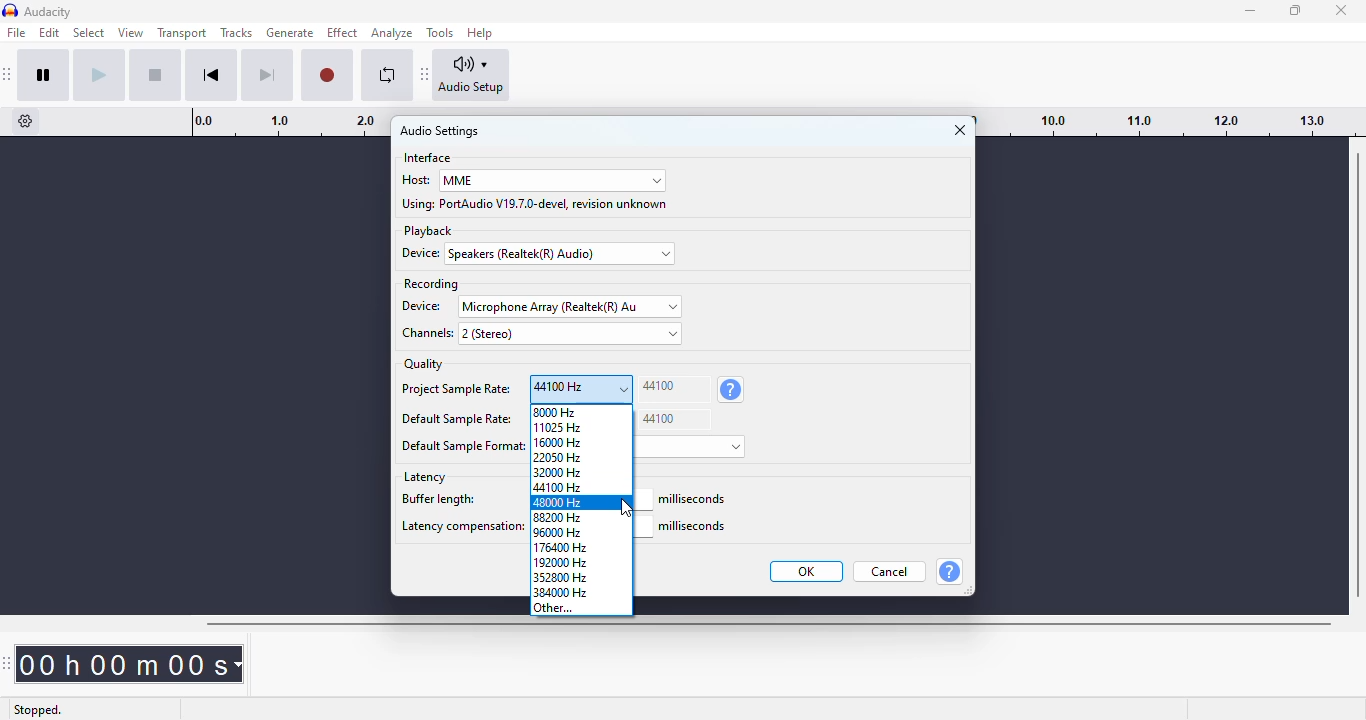  I want to click on interface, so click(428, 158).